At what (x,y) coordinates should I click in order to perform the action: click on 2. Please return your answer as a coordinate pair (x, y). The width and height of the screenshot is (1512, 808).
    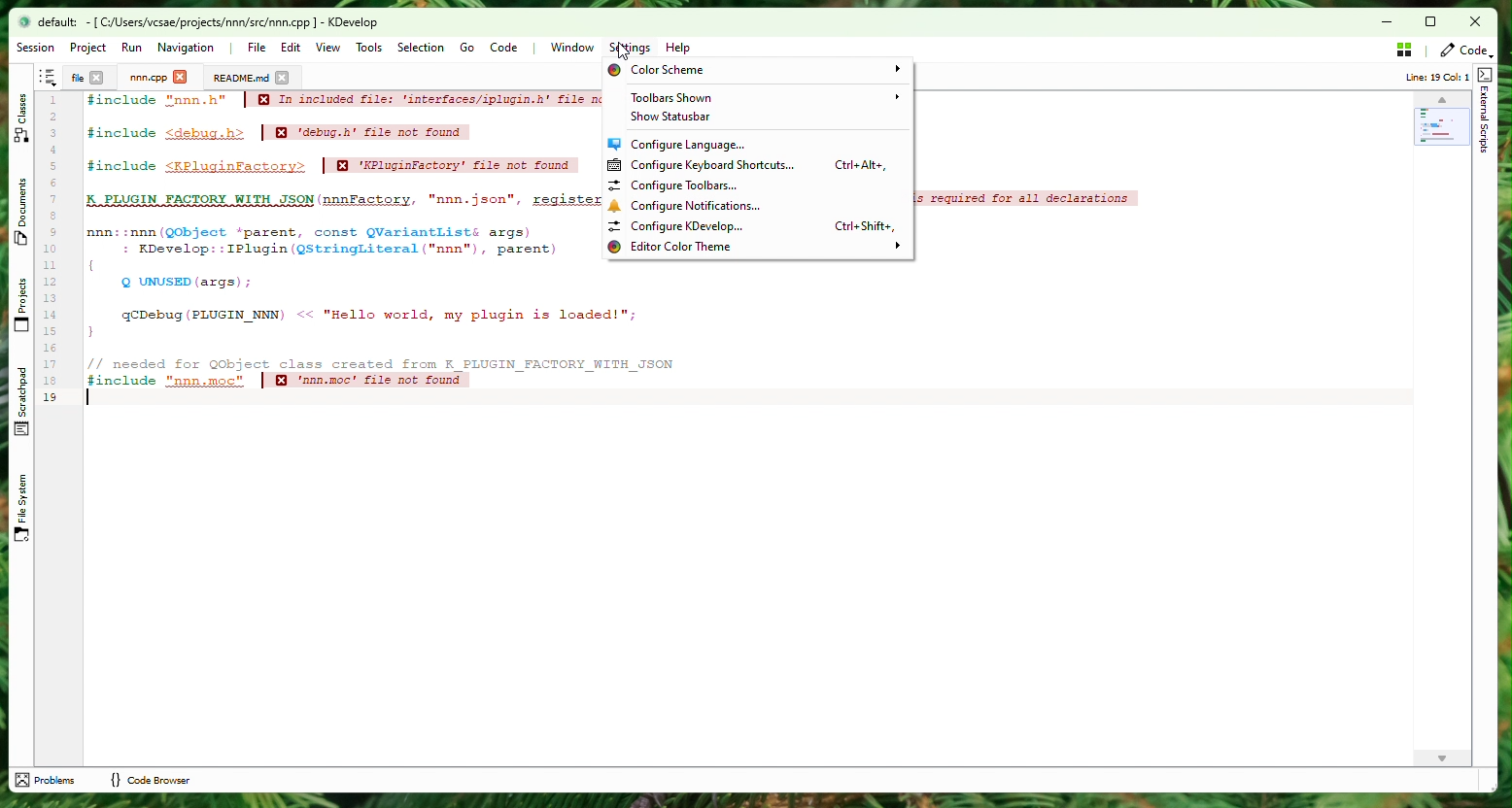
    Looking at the image, I should click on (52, 117).